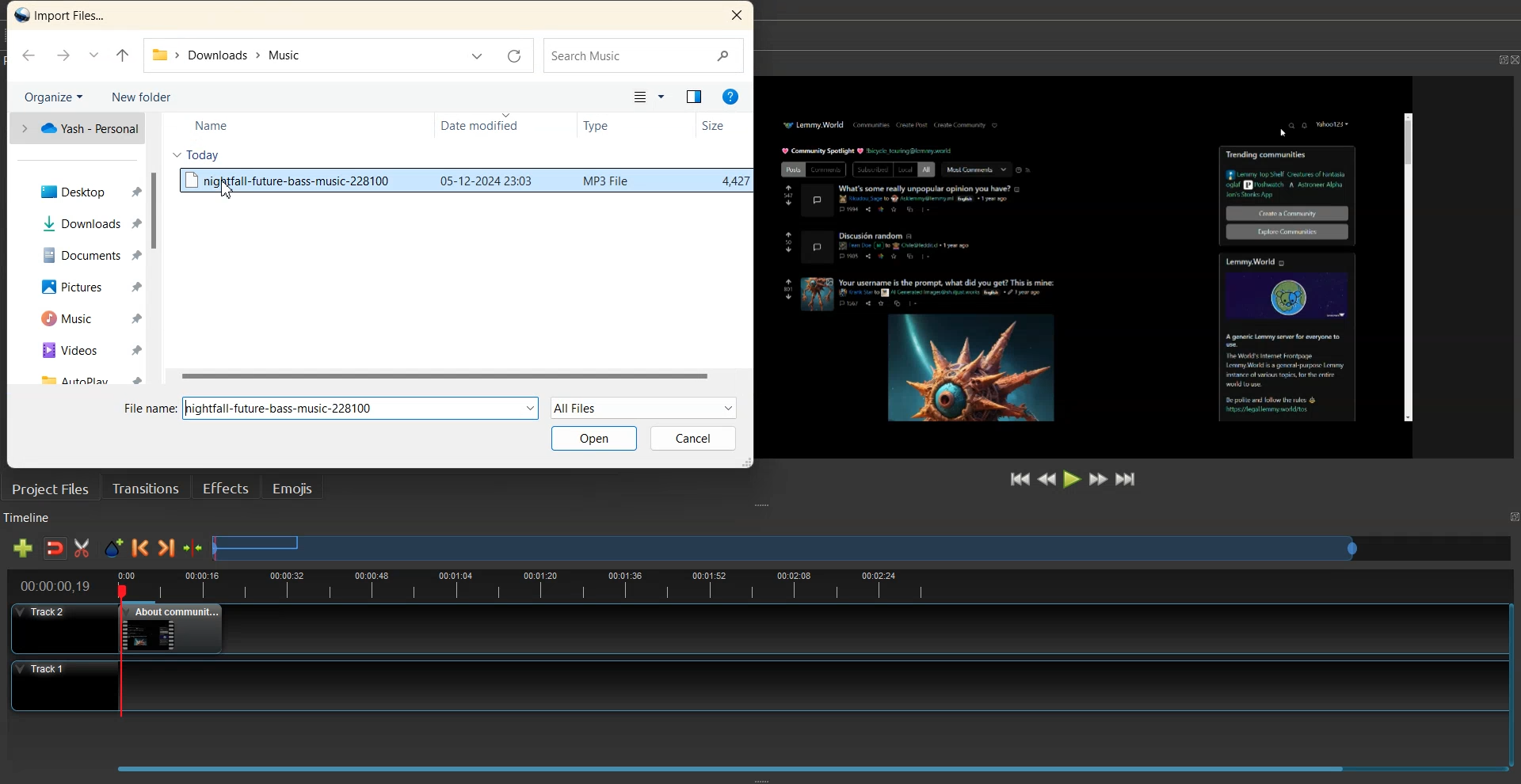 This screenshot has width=1521, height=784. I want to click on File Path address, so click(233, 55).